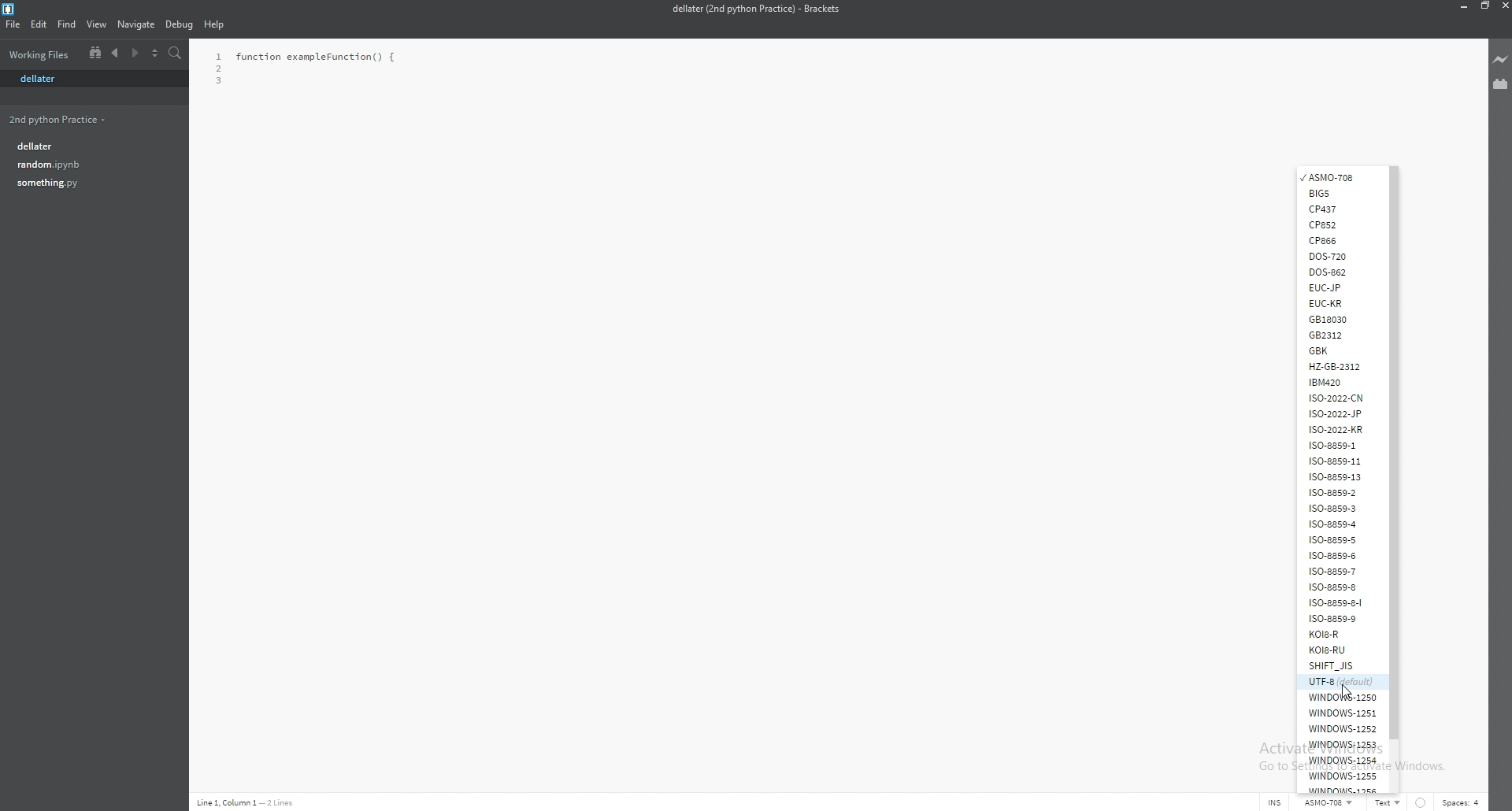  Describe the element at coordinates (1341, 225) in the screenshot. I see `cp852` at that location.